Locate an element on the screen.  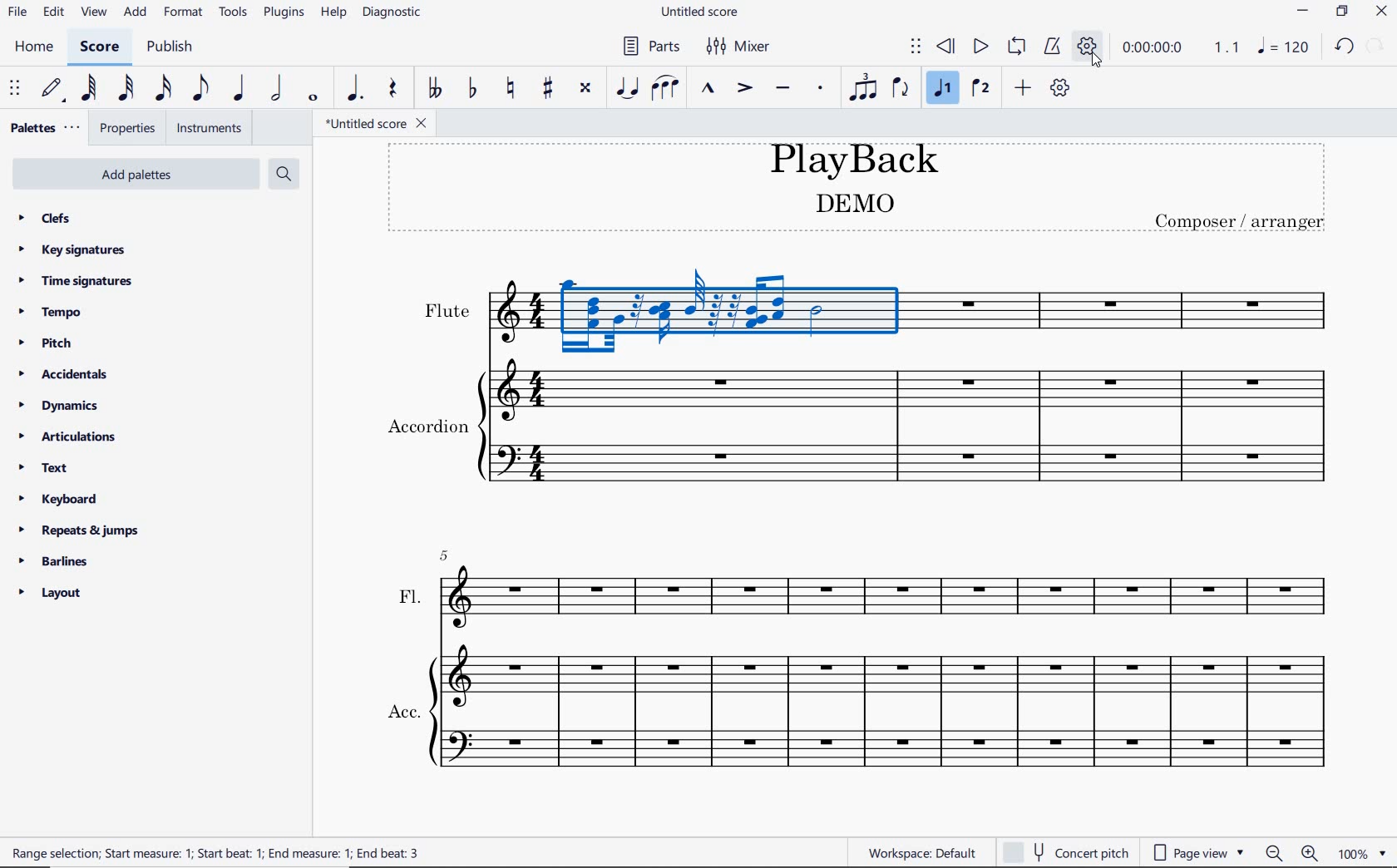
edit is located at coordinates (53, 13).